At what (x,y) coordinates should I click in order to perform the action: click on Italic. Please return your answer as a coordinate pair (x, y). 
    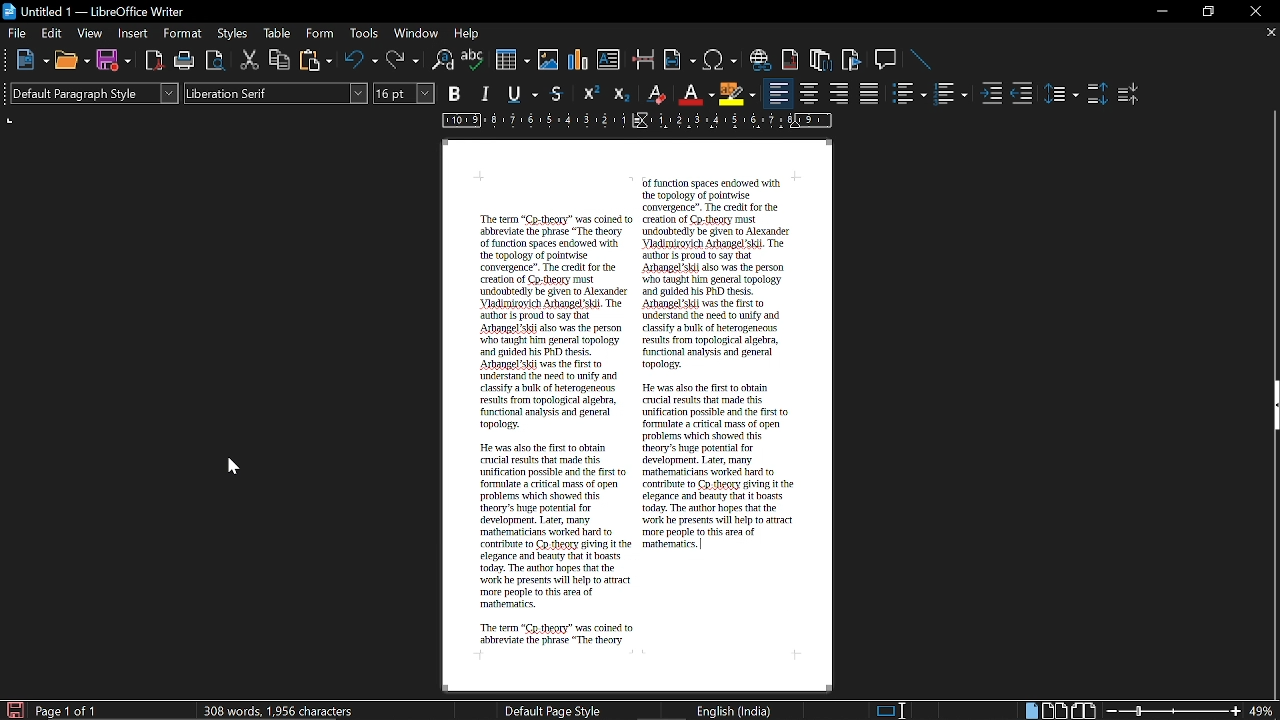
    Looking at the image, I should click on (486, 94).